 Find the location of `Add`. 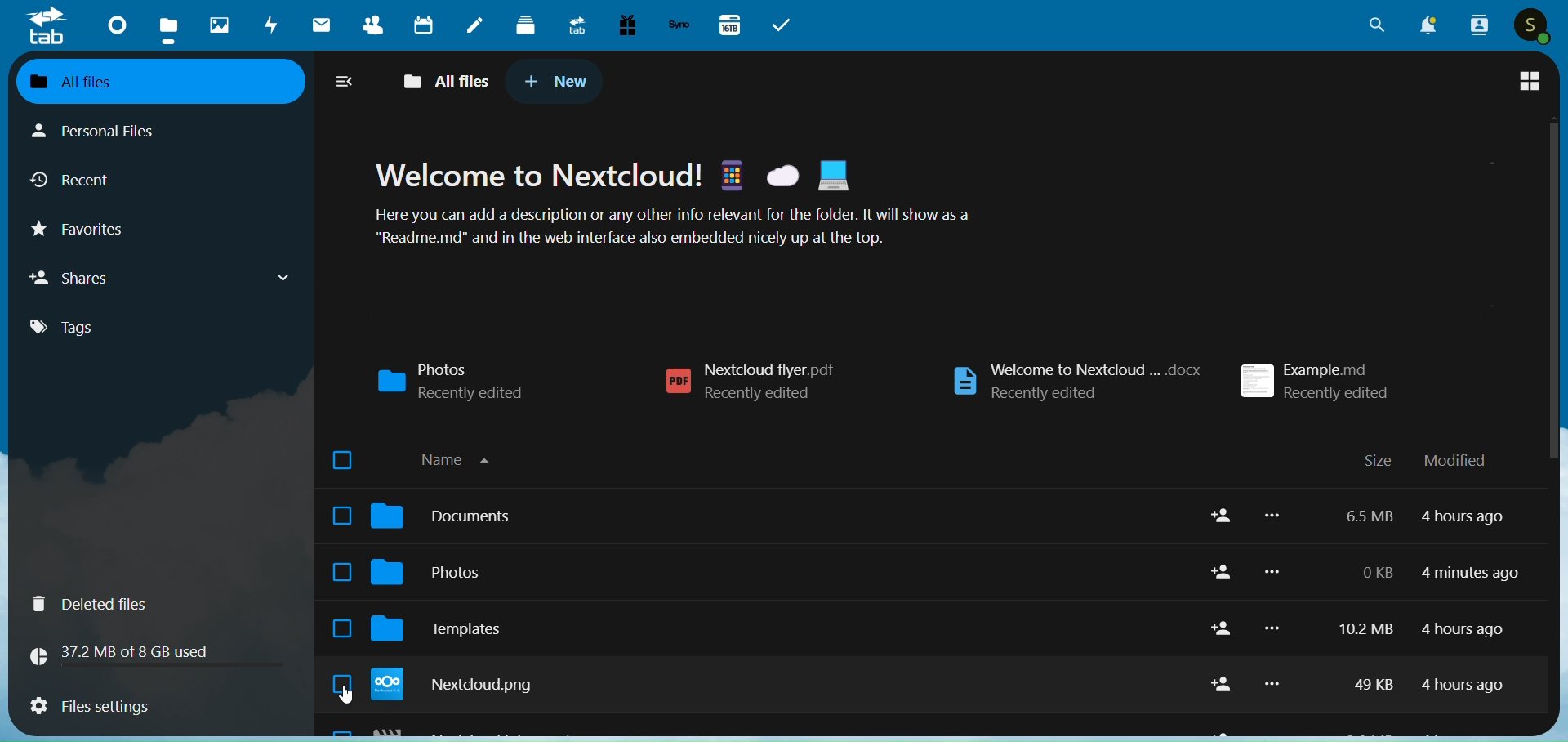

Add is located at coordinates (1223, 571).